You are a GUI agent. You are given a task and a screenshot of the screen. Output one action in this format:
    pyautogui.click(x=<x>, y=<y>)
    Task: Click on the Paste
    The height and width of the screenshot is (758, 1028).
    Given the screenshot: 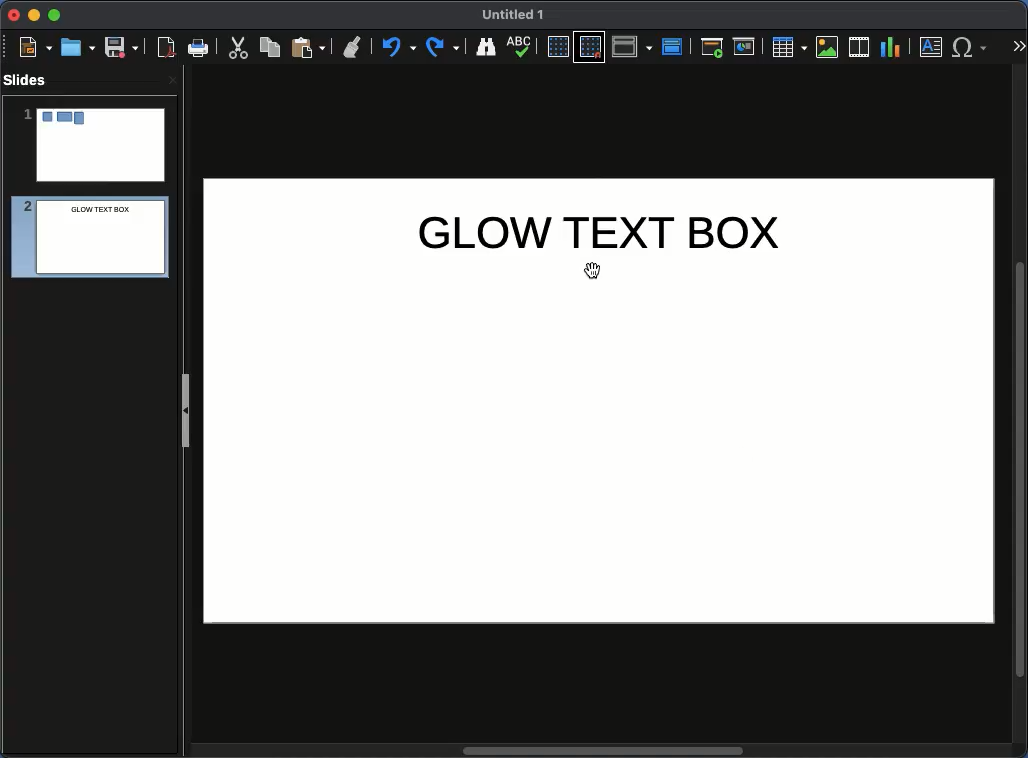 What is the action you would take?
    pyautogui.click(x=308, y=46)
    